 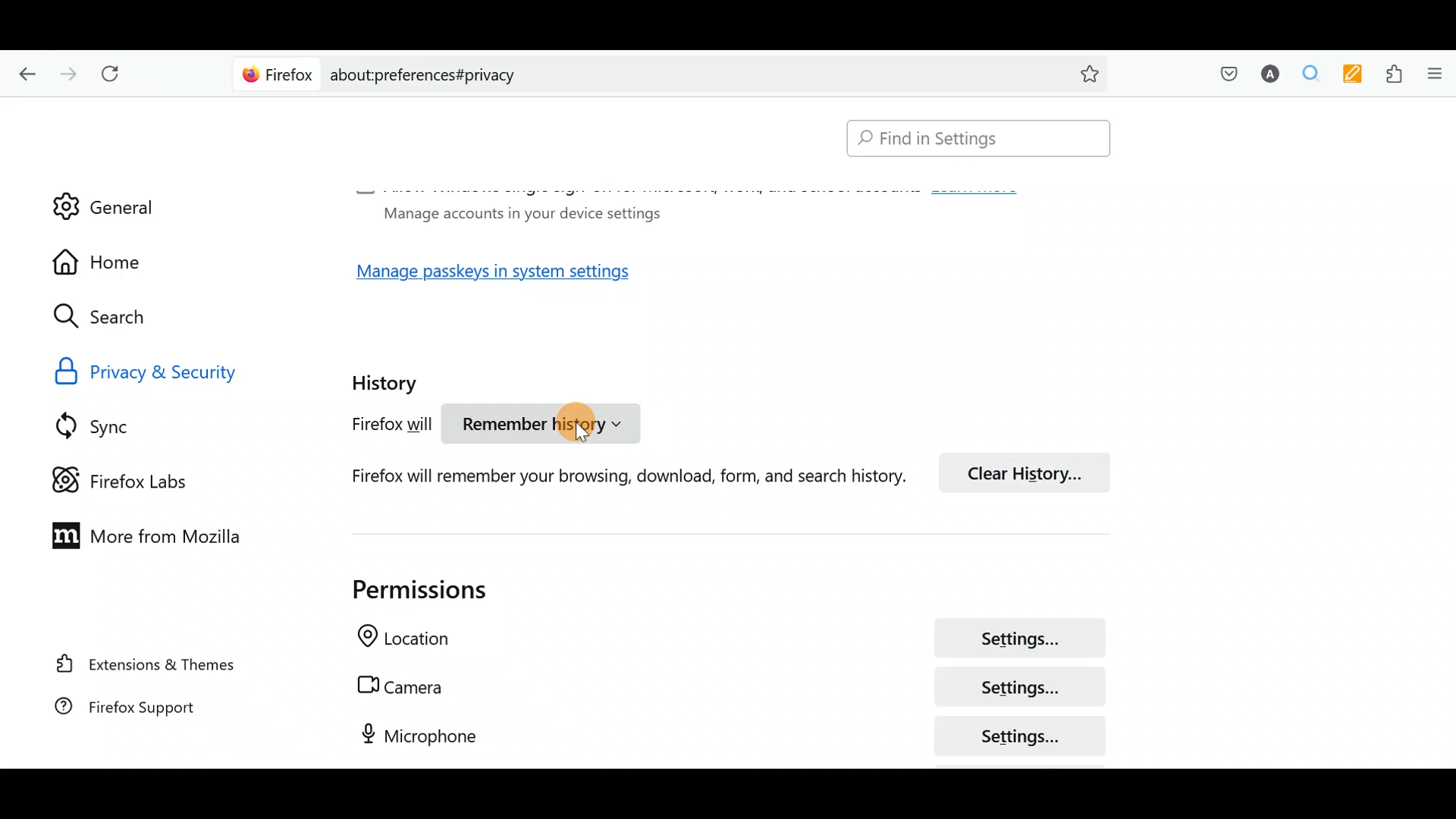 I want to click on Firefox will remember your browsing, download, form and search history, so click(x=607, y=475).